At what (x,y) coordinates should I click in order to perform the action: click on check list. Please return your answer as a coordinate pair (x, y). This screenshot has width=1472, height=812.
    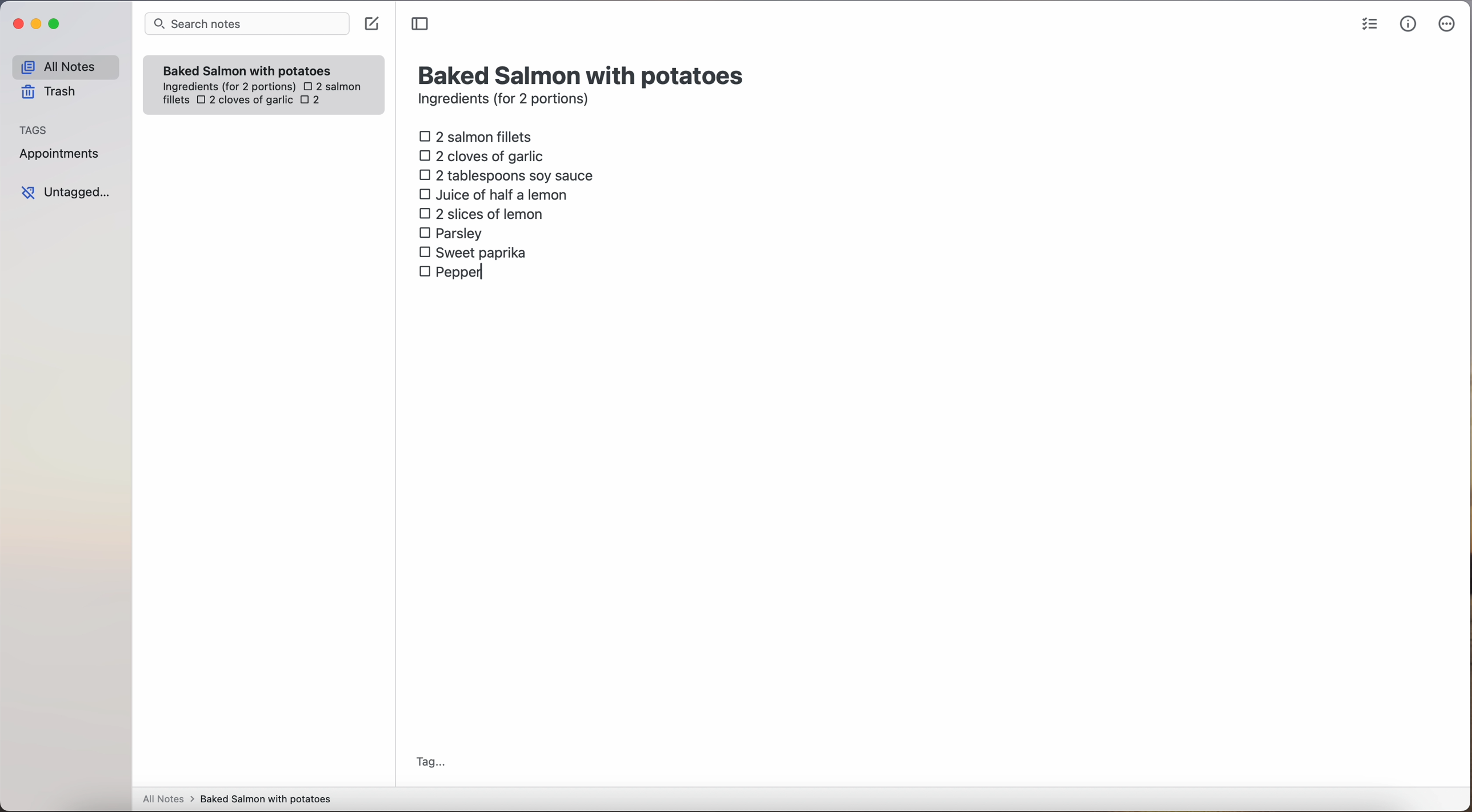
    Looking at the image, I should click on (1370, 25).